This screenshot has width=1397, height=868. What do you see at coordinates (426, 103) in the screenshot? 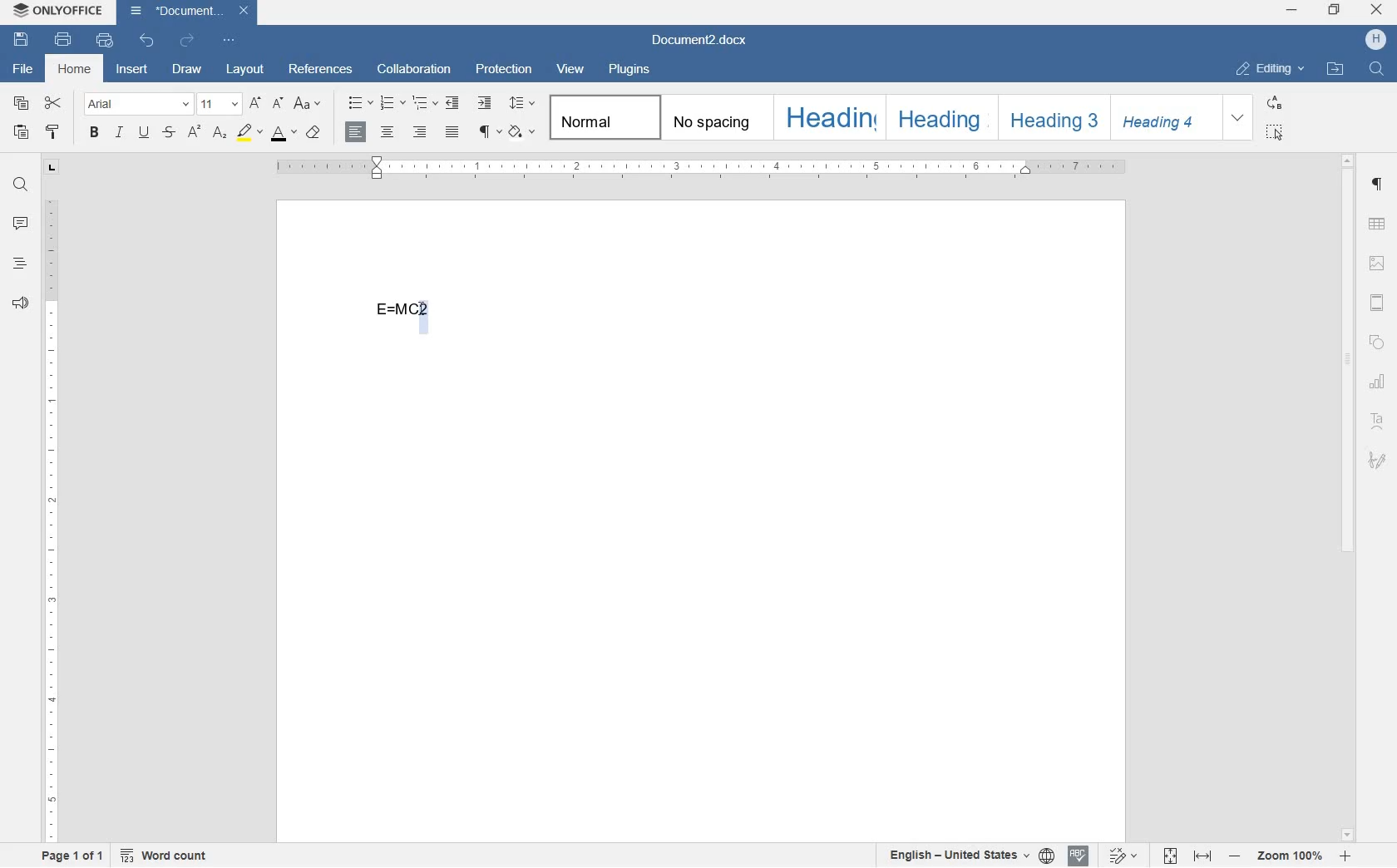
I see `multilevel list` at bounding box center [426, 103].